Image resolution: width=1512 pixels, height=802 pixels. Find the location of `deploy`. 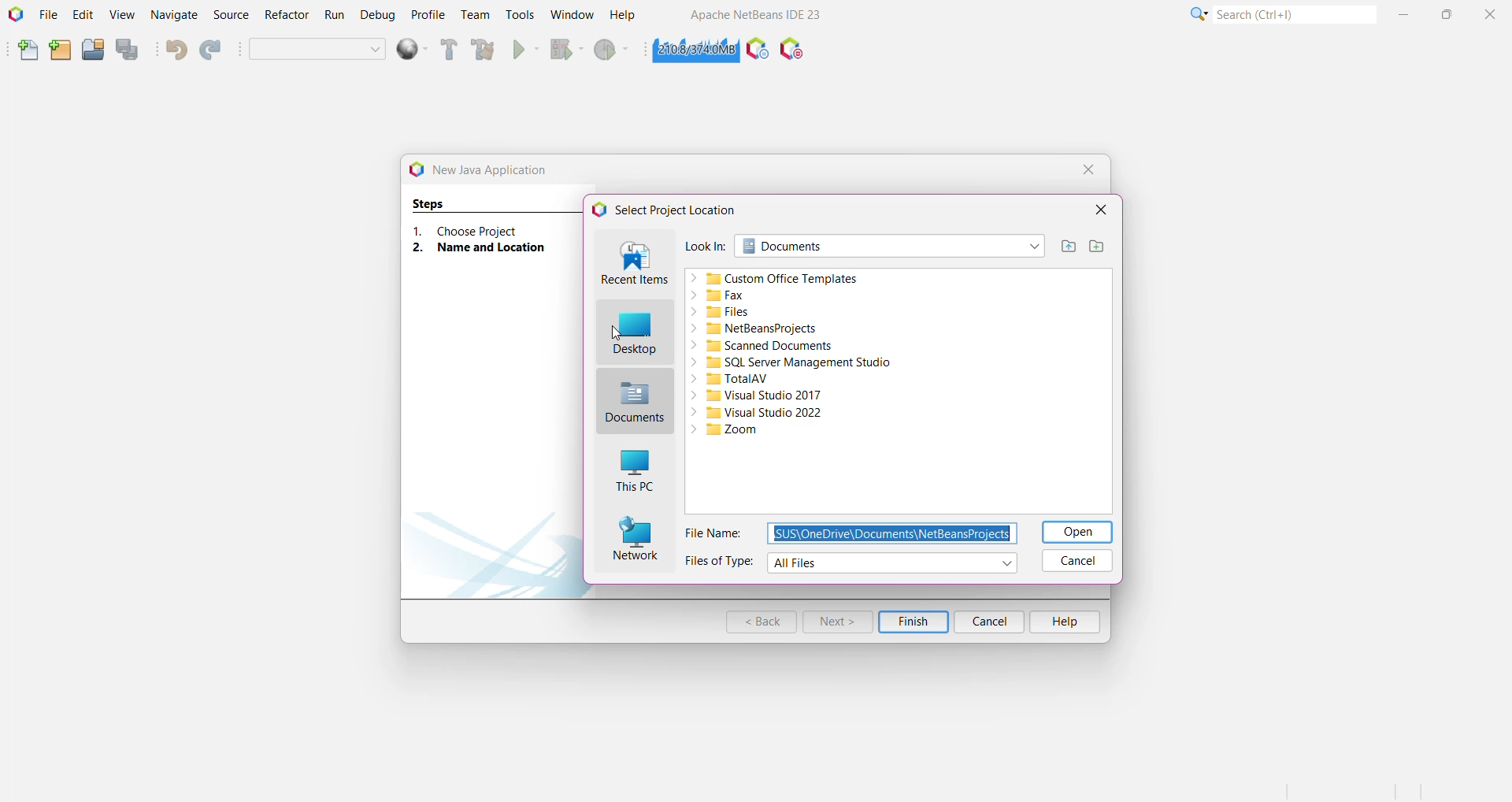

deploy is located at coordinates (410, 50).